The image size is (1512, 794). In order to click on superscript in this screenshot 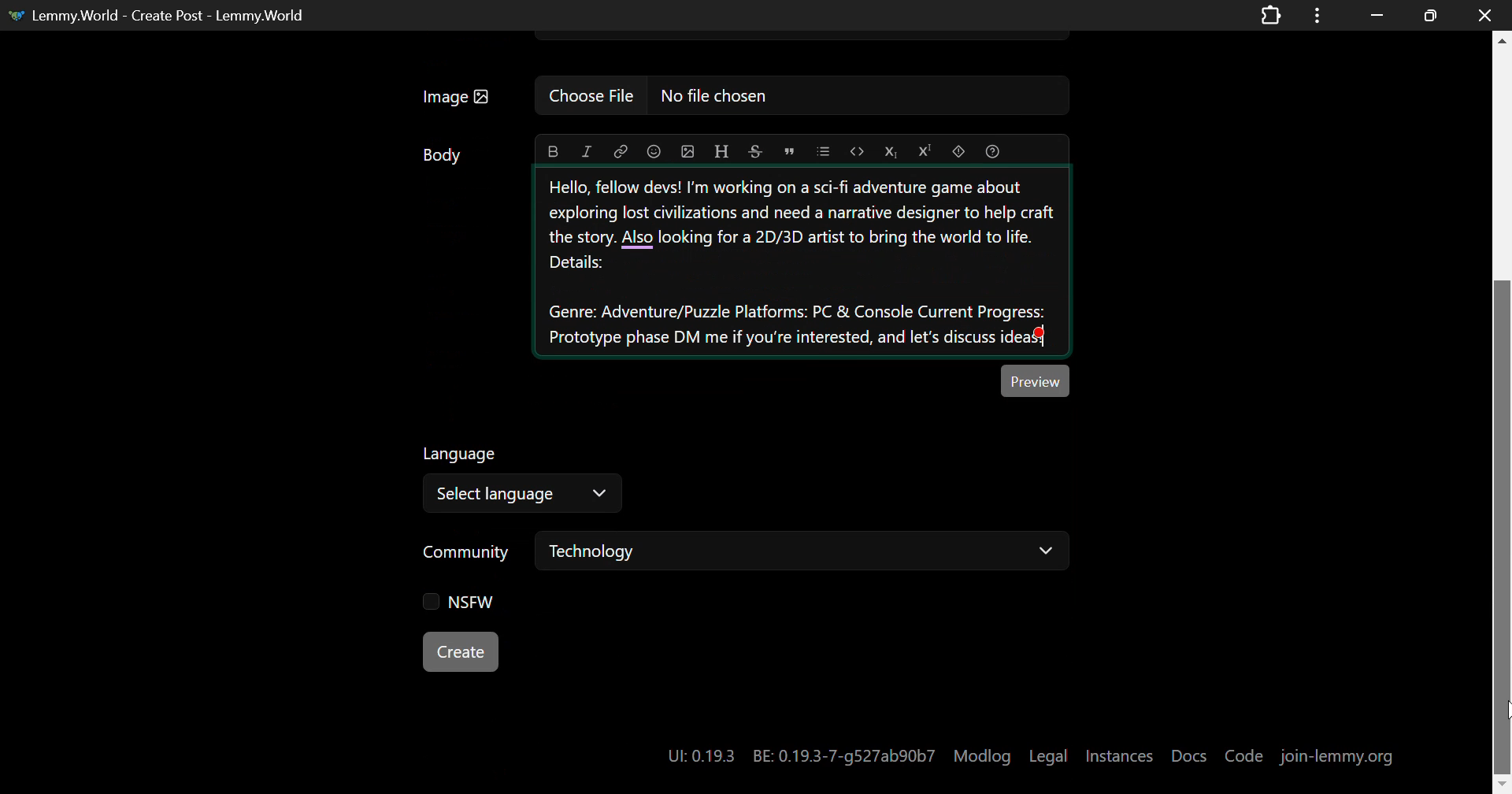, I will do `click(925, 151)`.